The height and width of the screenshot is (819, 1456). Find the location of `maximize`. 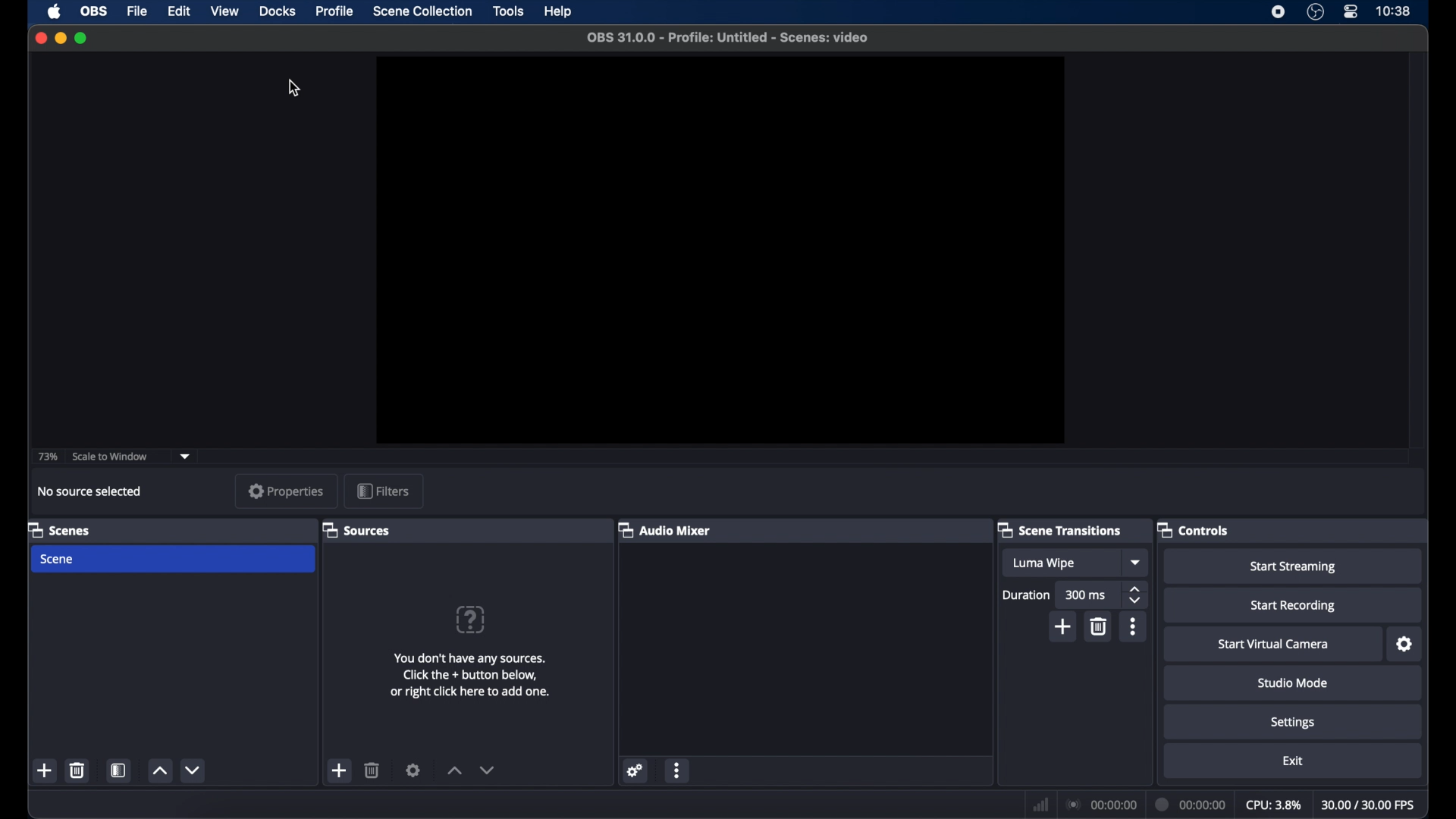

maximize is located at coordinates (80, 38).